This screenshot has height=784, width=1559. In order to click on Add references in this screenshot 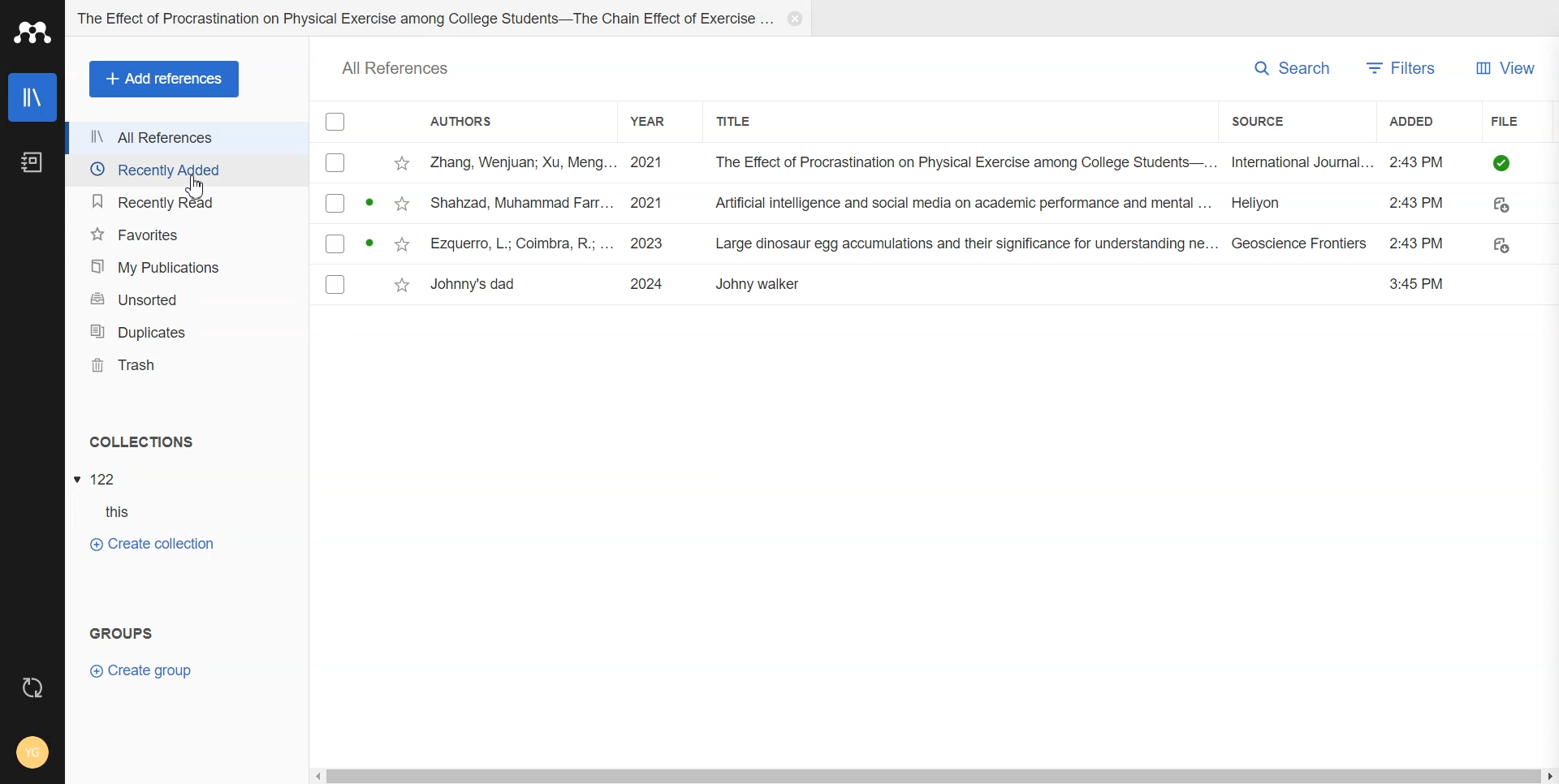, I will do `click(166, 80)`.